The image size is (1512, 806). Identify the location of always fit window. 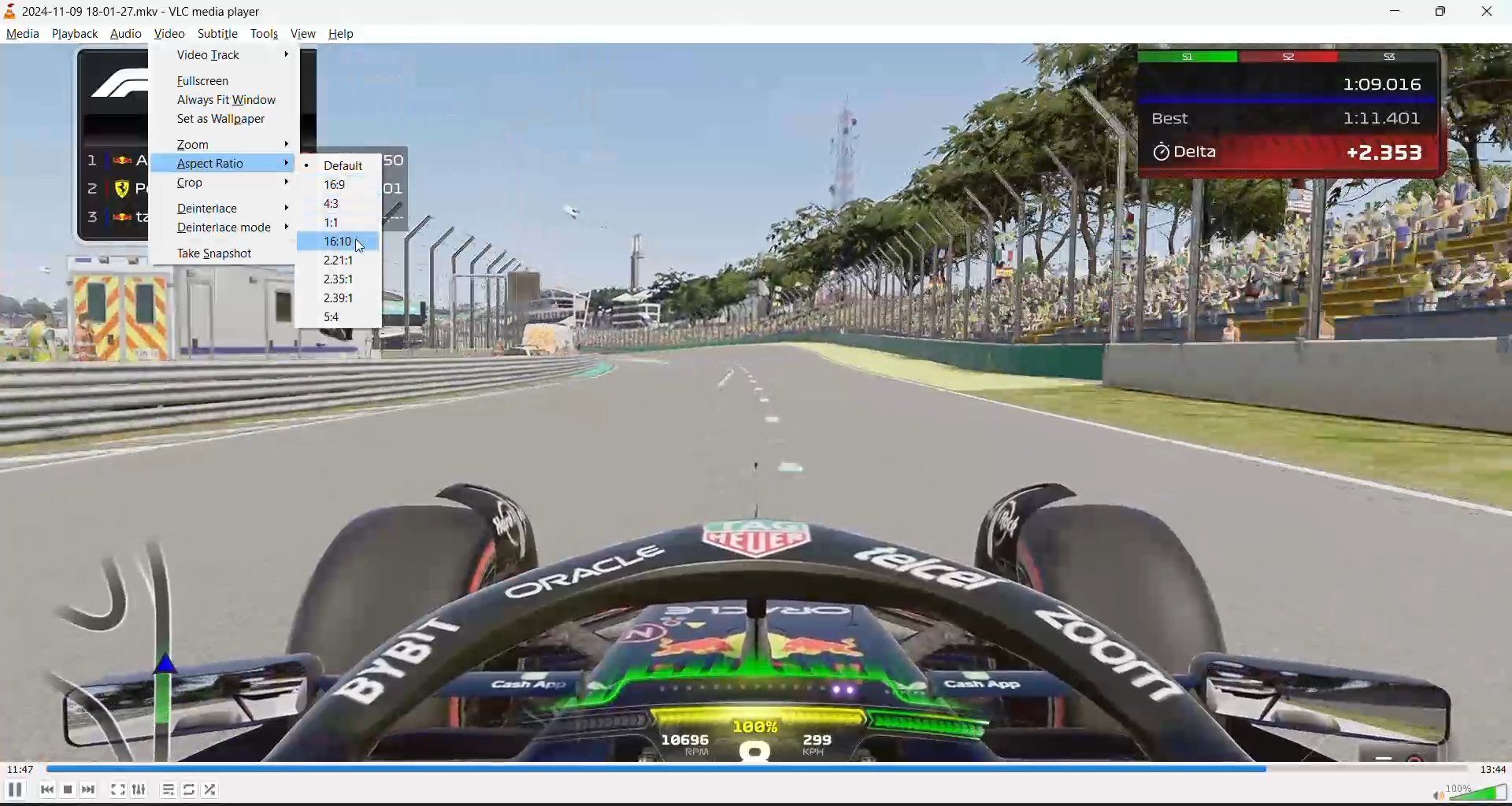
(231, 102).